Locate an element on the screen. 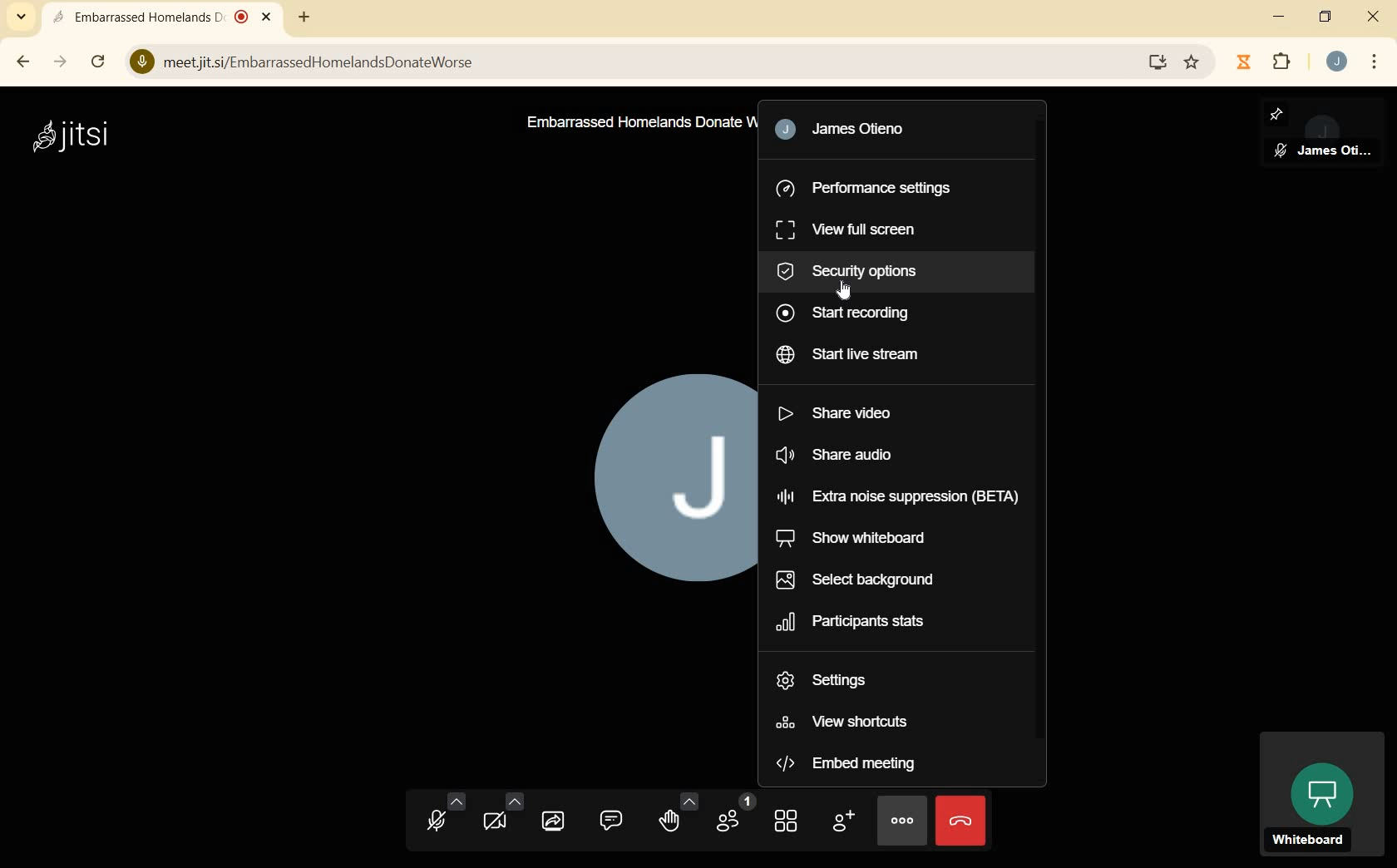 This screenshot has height=868, width=1397. invite people is located at coordinates (844, 821).